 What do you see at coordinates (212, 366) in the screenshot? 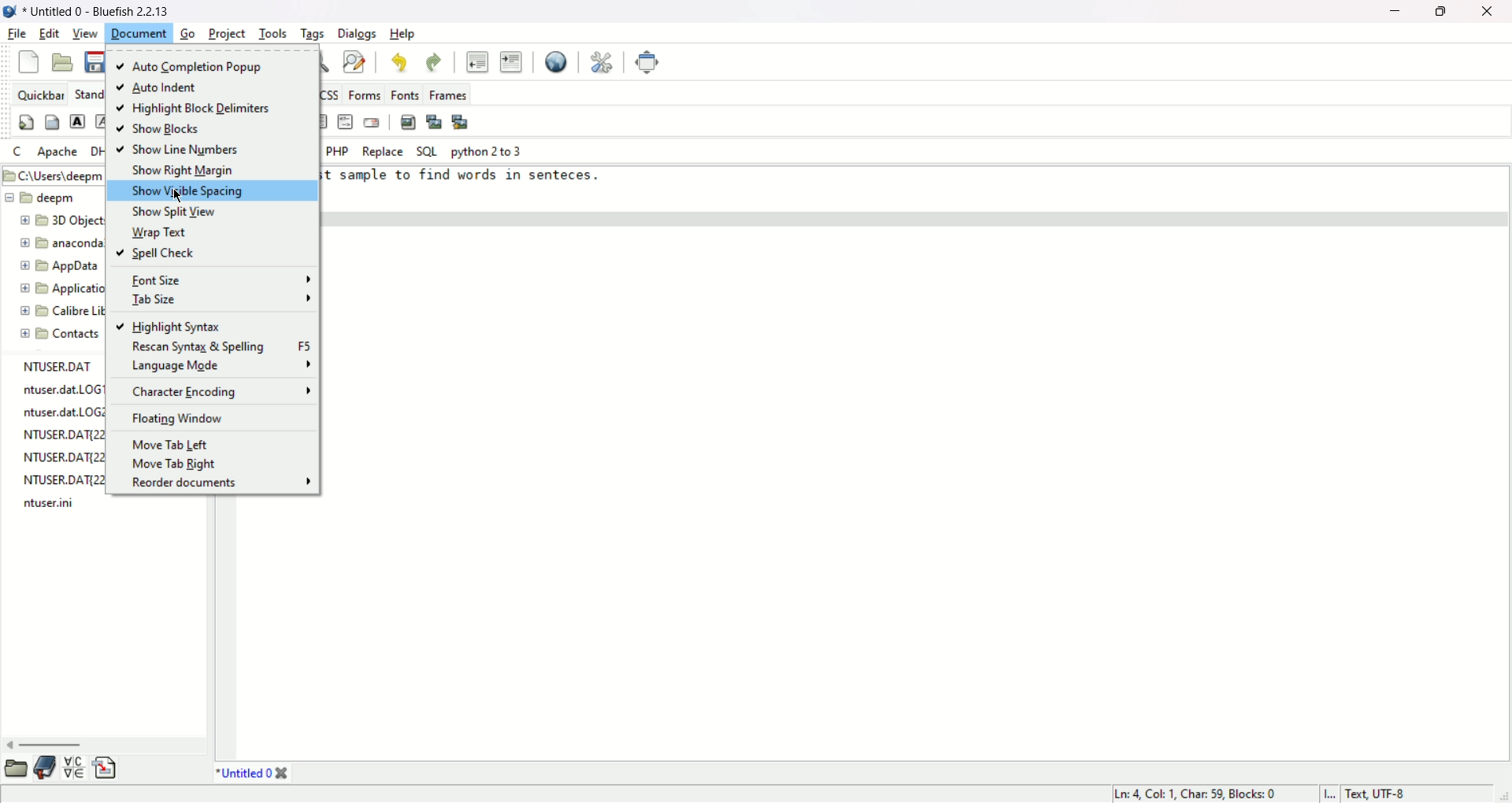
I see `language mode` at bounding box center [212, 366].